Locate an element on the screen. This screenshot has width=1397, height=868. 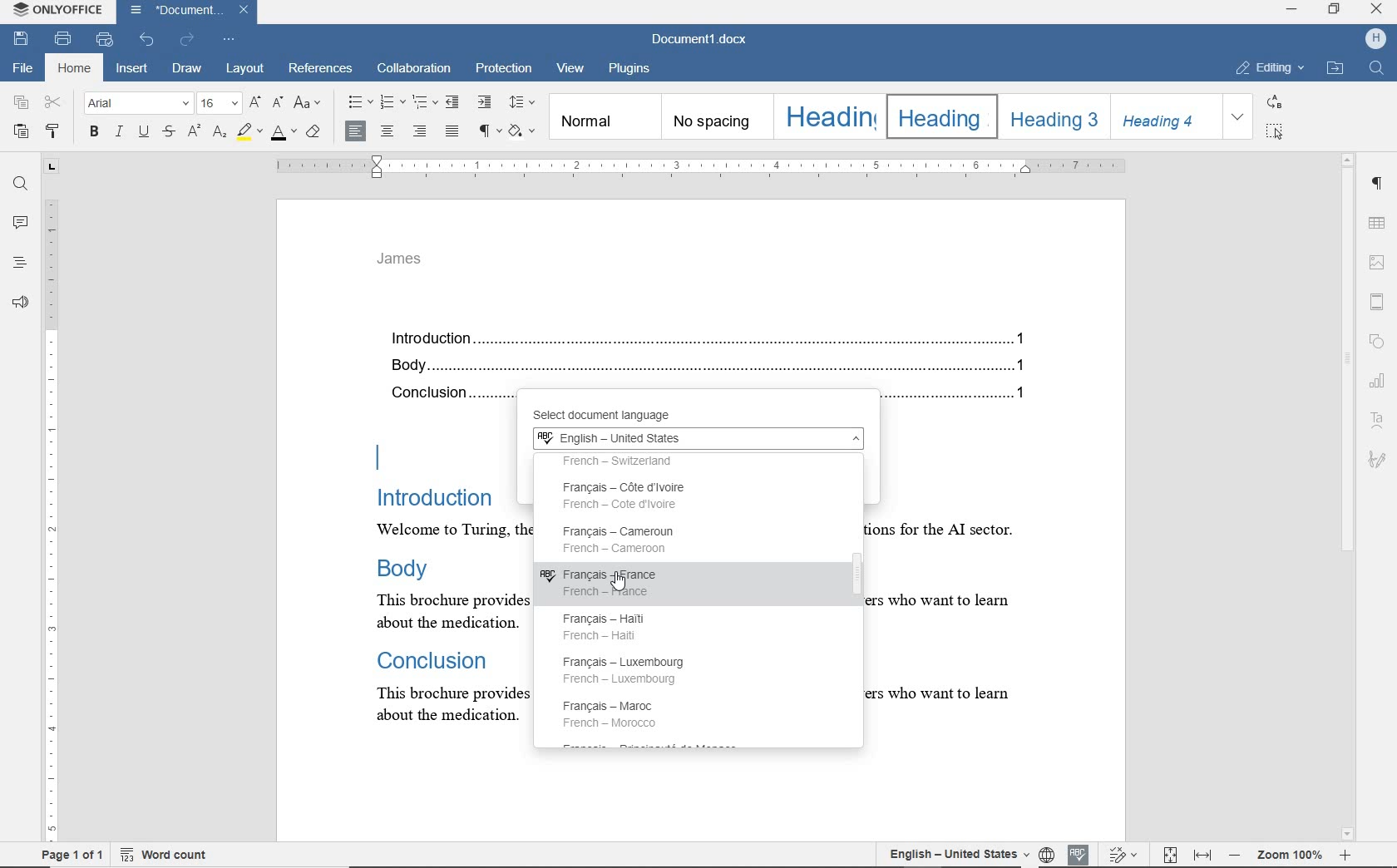
font color is located at coordinates (285, 131).